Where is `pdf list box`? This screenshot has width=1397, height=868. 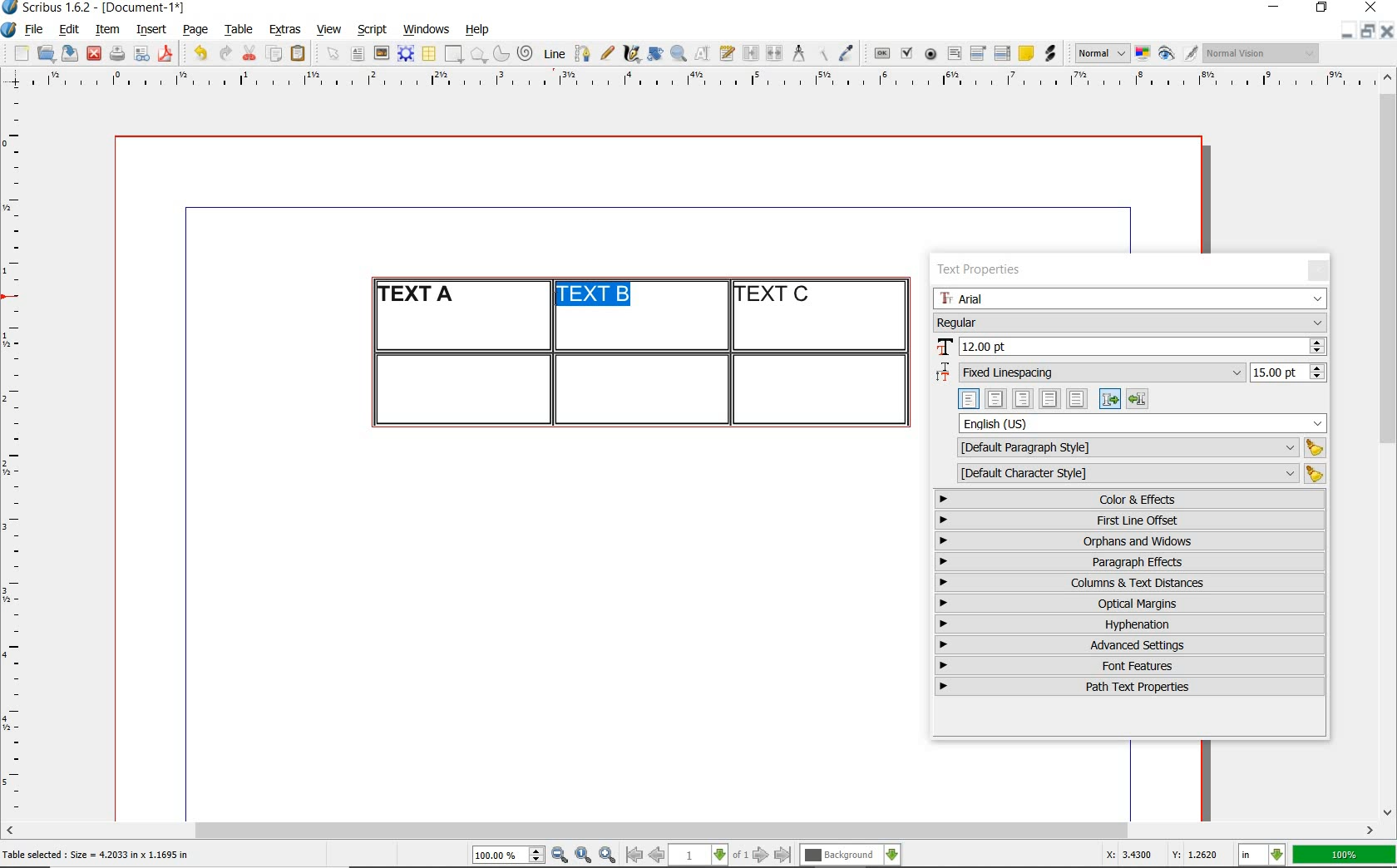
pdf list box is located at coordinates (1003, 53).